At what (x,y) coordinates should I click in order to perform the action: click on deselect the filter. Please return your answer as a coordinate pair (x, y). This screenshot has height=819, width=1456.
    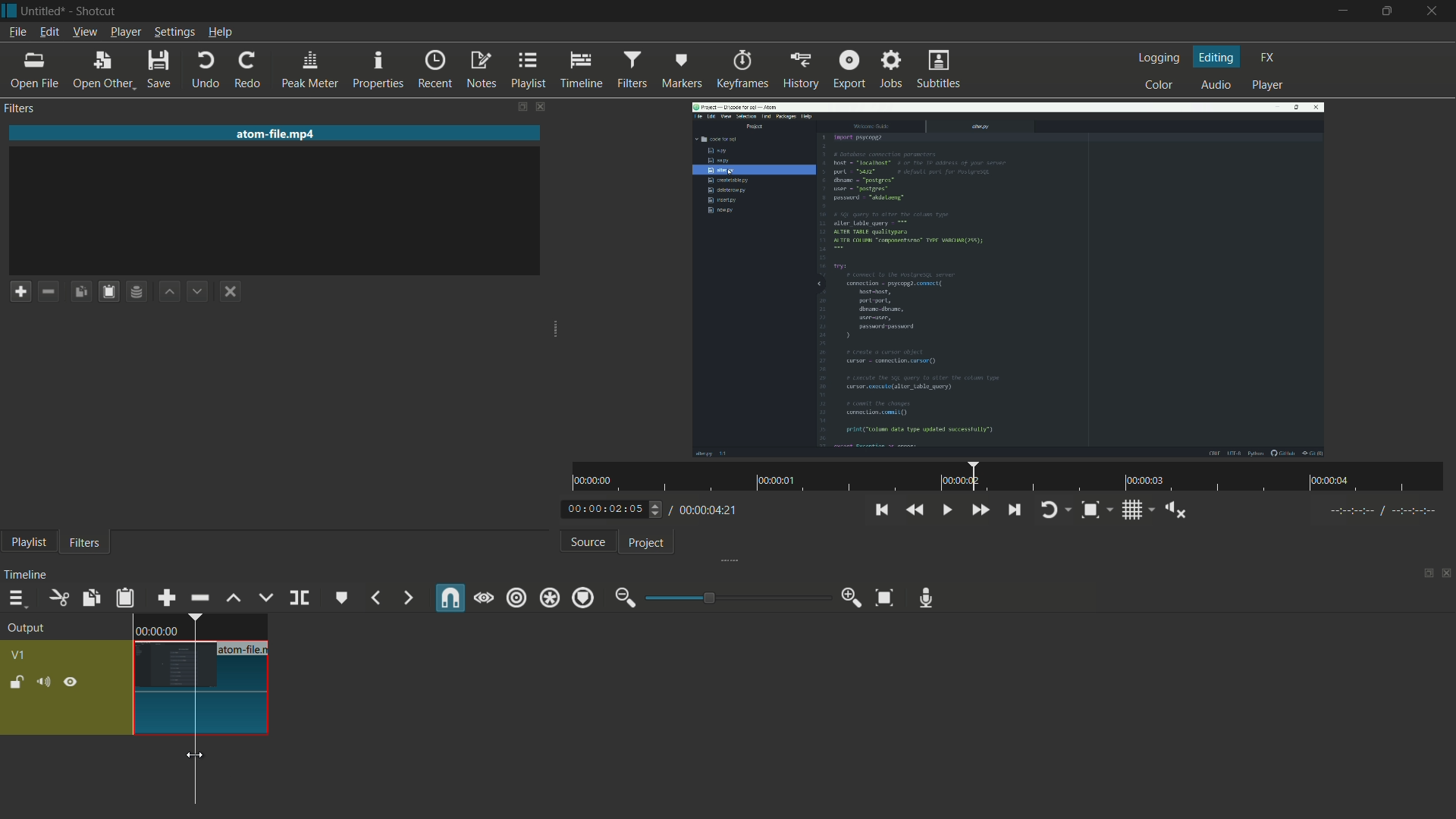
    Looking at the image, I should click on (231, 293).